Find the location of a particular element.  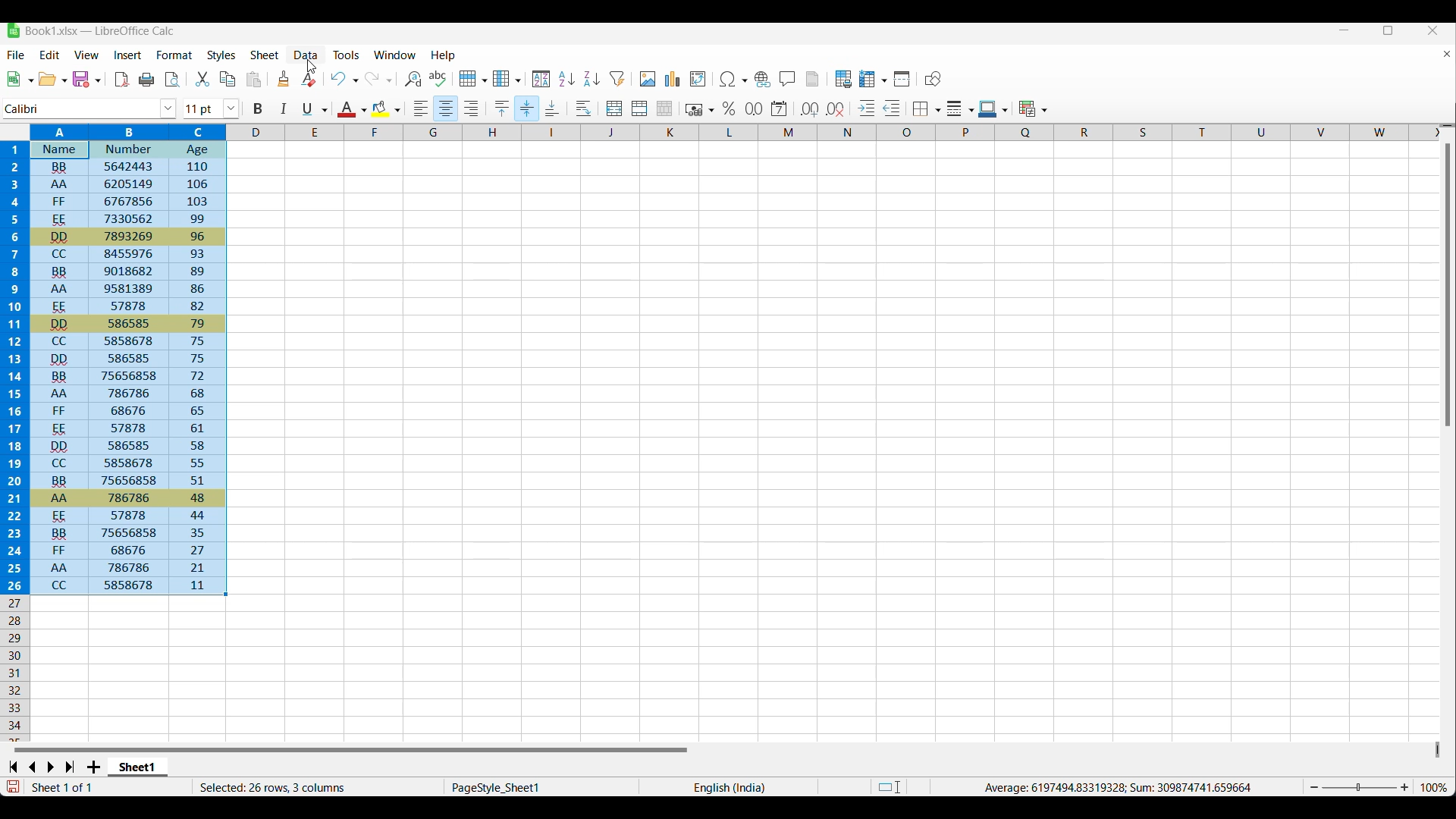

Paste is located at coordinates (254, 79).